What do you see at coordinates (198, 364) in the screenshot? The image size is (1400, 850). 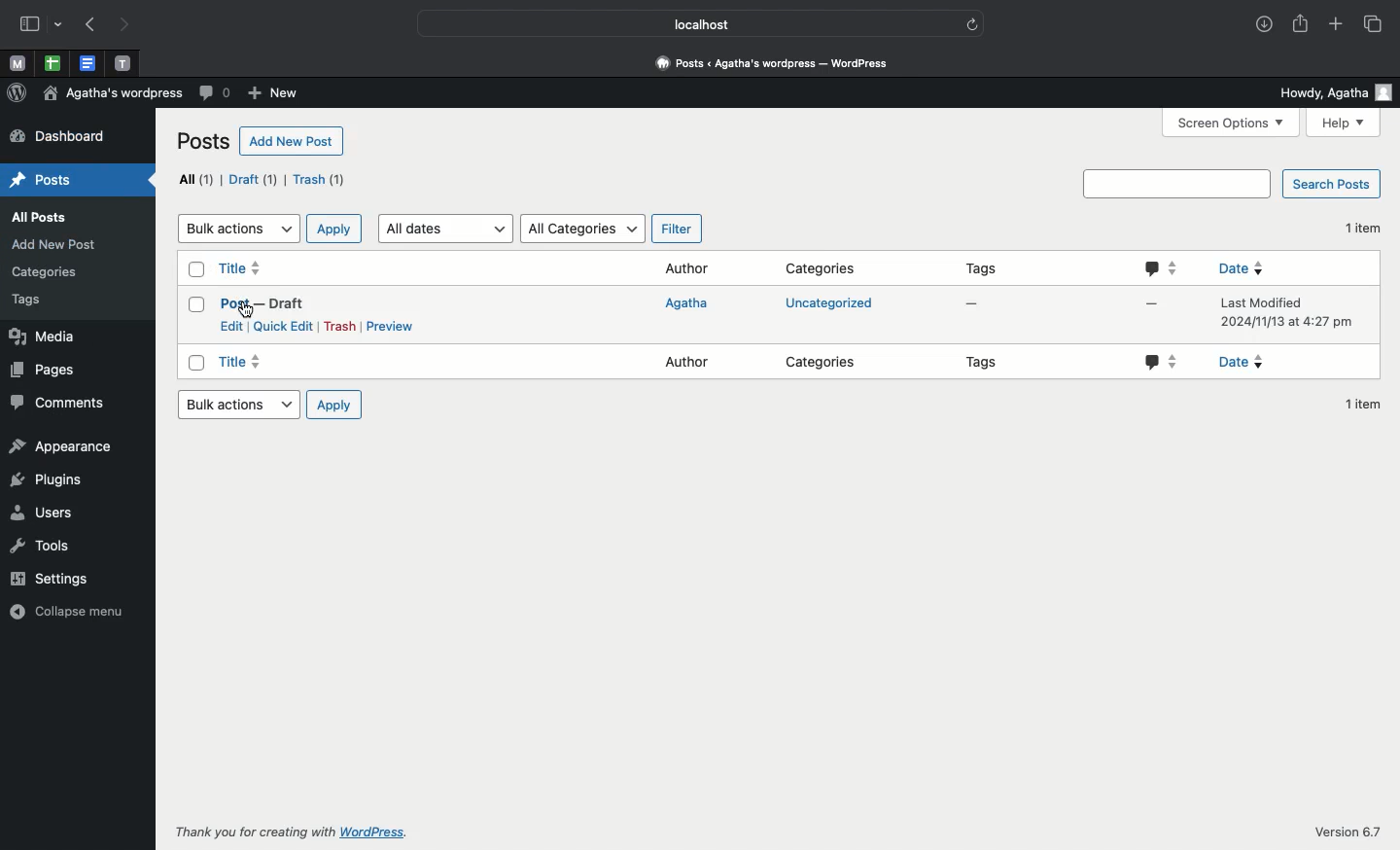 I see `checkbox` at bounding box center [198, 364].